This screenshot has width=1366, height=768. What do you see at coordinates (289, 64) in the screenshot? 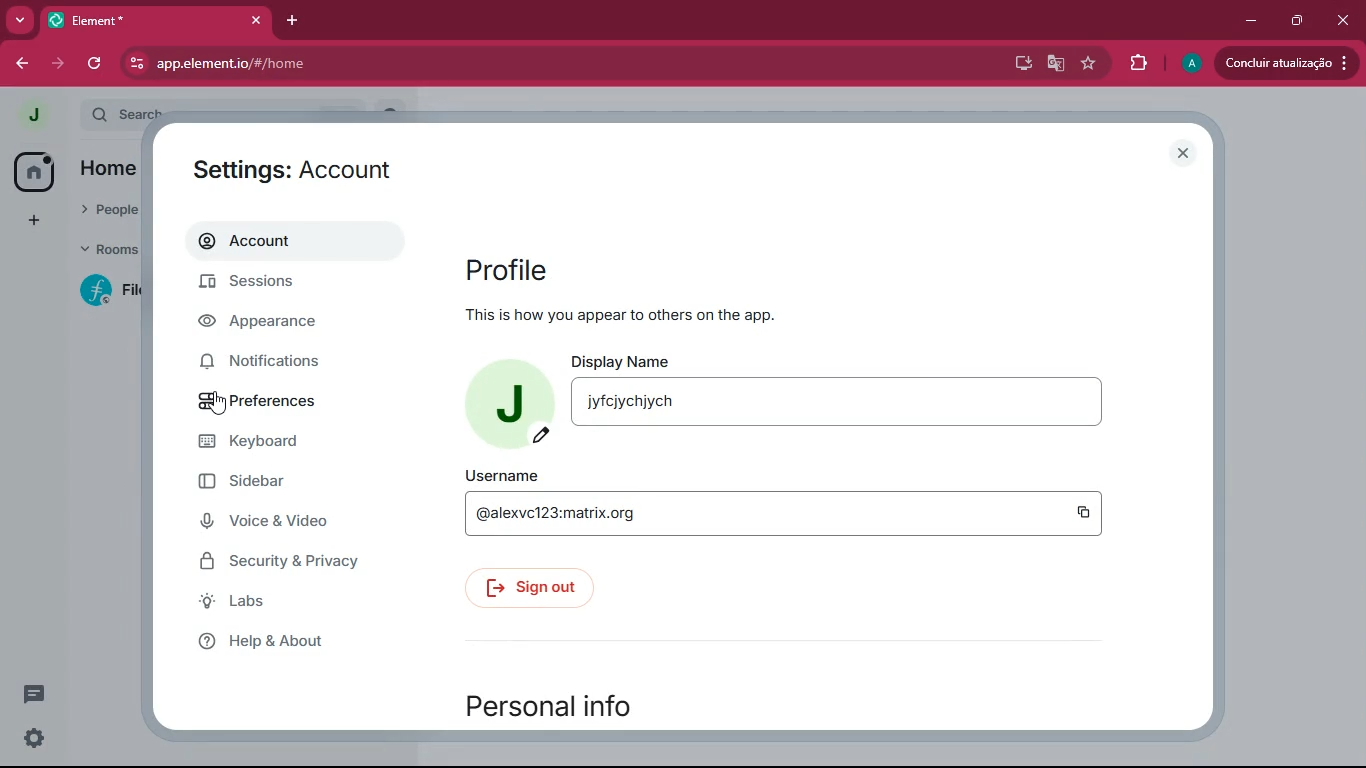
I see `url` at bounding box center [289, 64].